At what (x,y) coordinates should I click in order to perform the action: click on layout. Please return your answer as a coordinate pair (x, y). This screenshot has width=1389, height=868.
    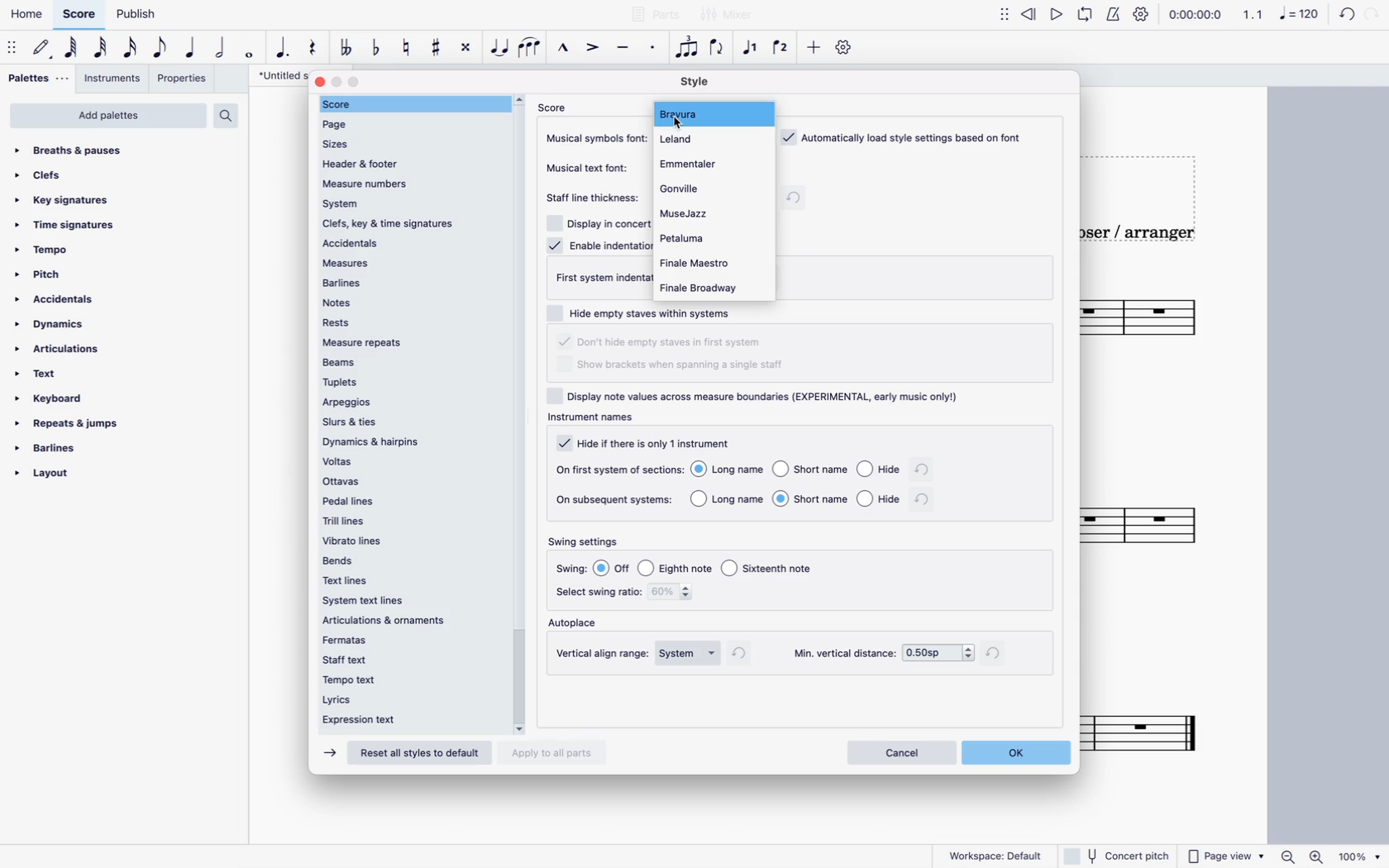
    Looking at the image, I should click on (70, 477).